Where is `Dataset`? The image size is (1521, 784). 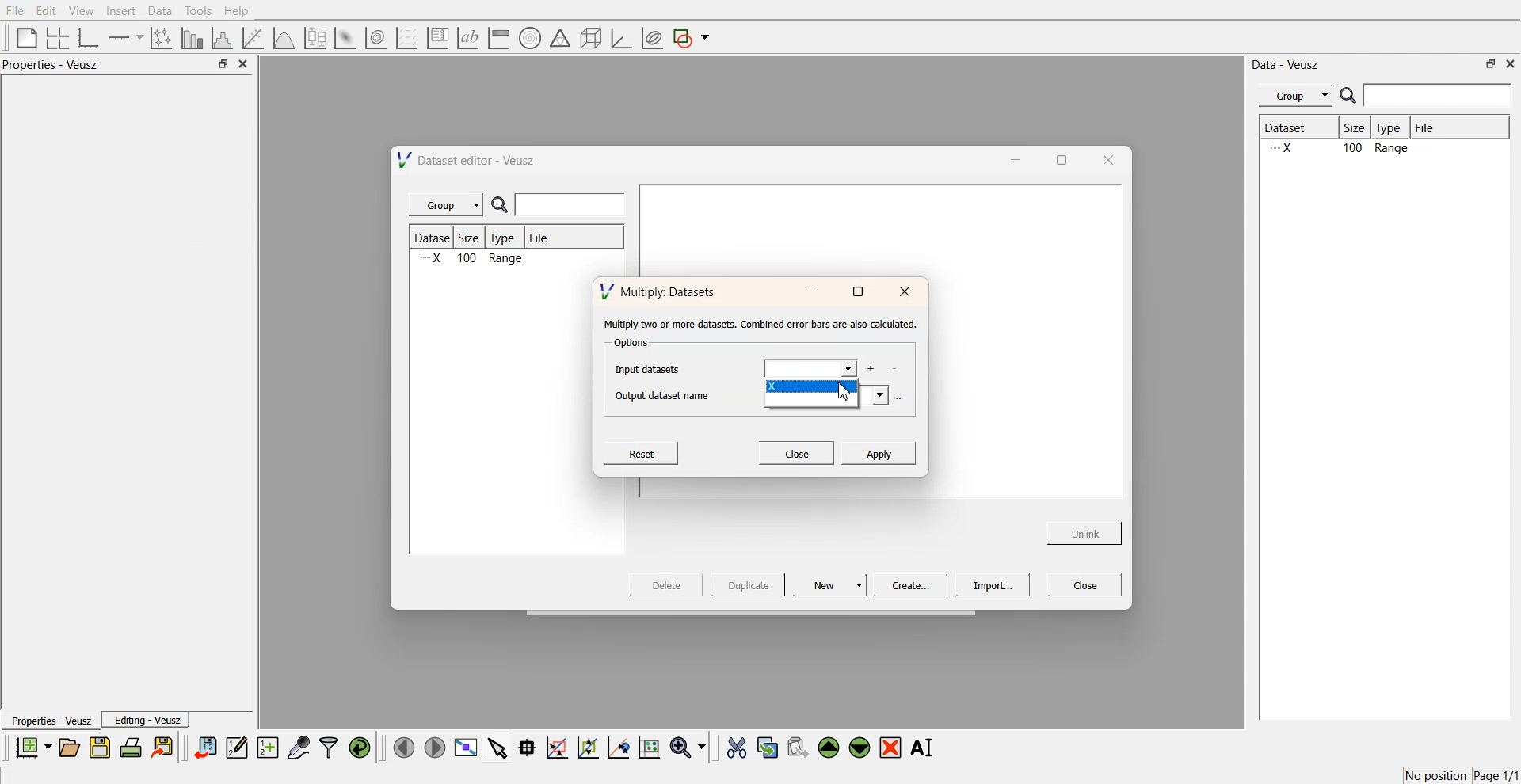 Dataset is located at coordinates (434, 238).